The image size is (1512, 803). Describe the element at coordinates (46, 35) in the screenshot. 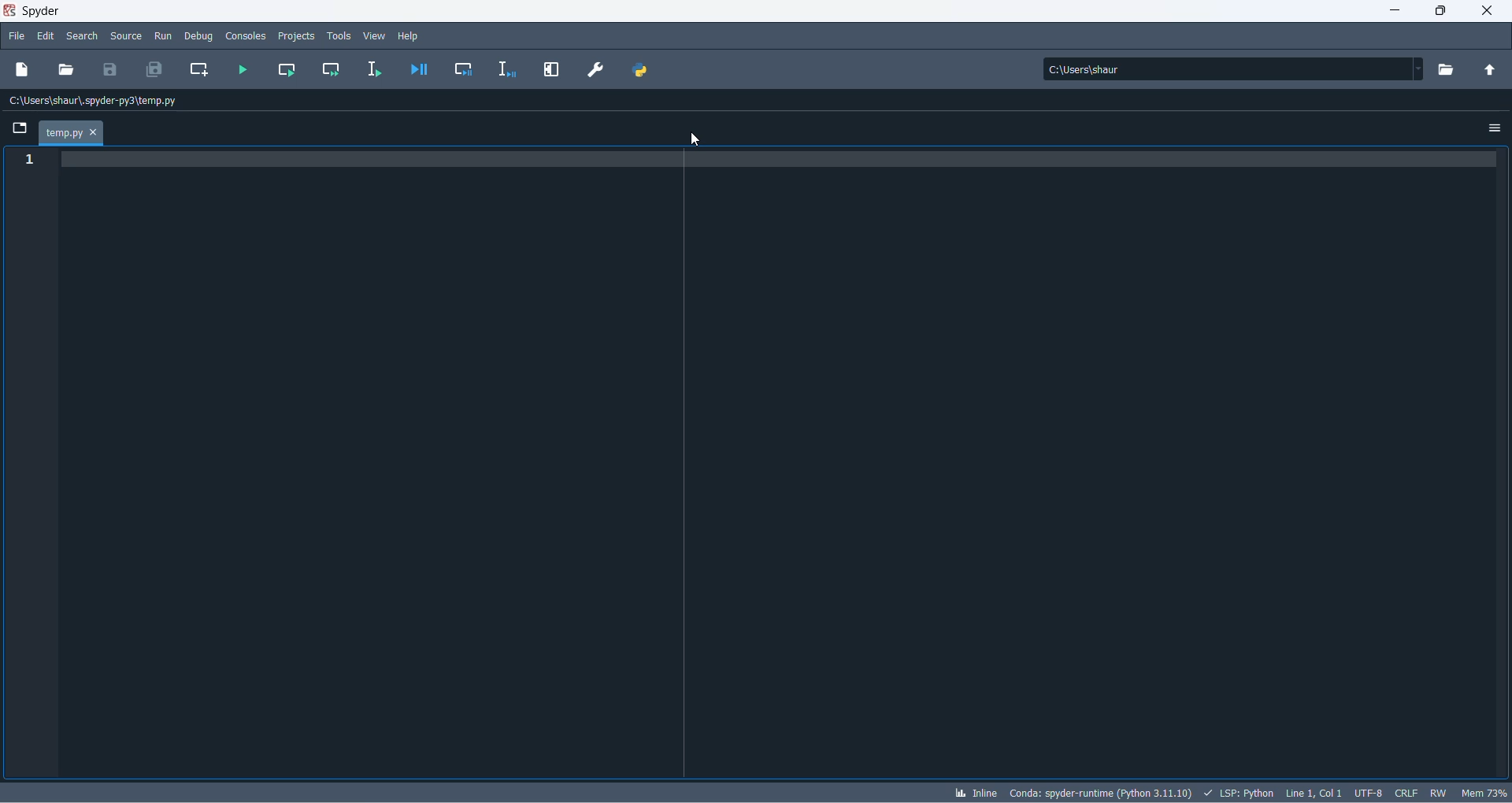

I see `edit` at that location.